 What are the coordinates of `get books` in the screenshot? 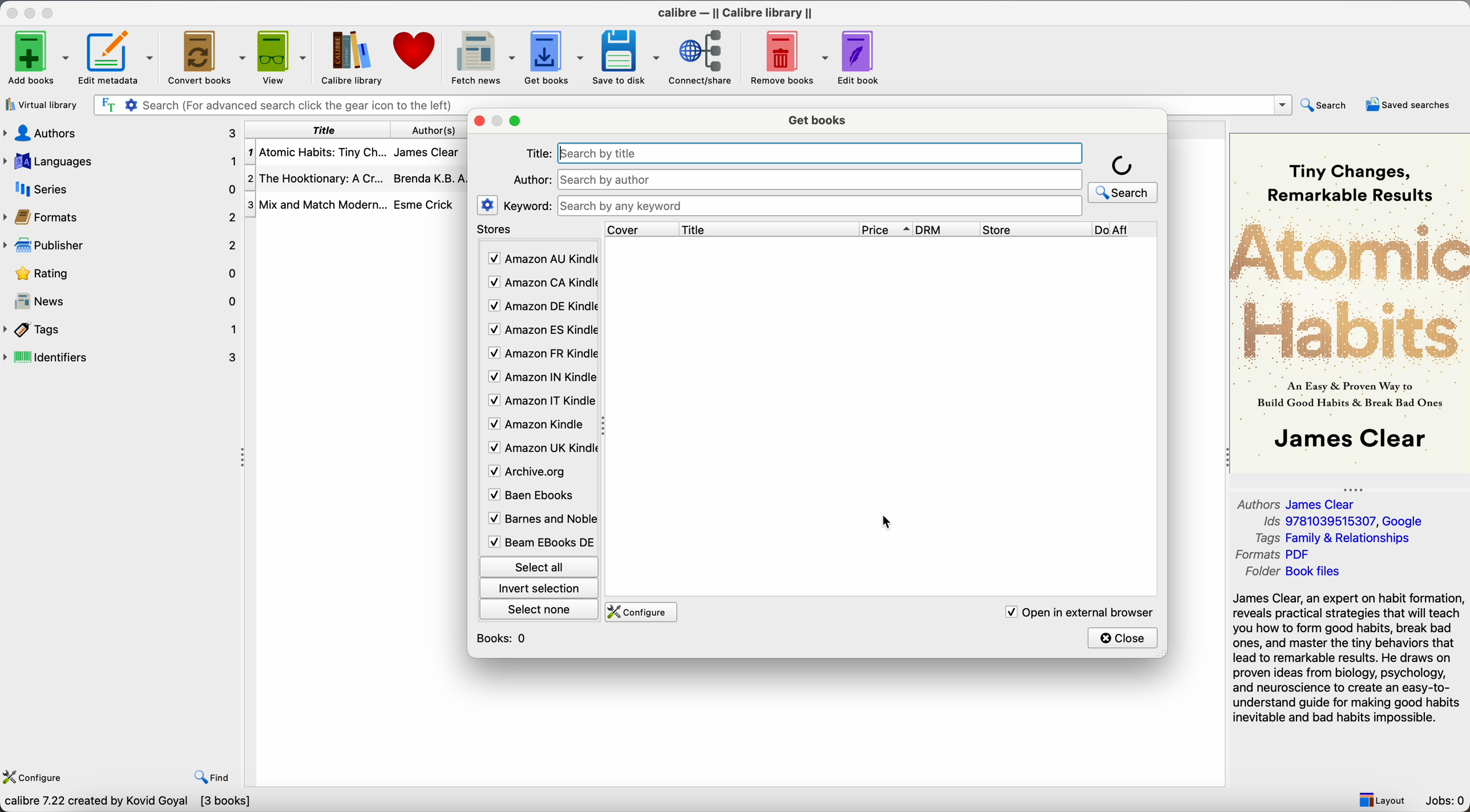 It's located at (817, 121).